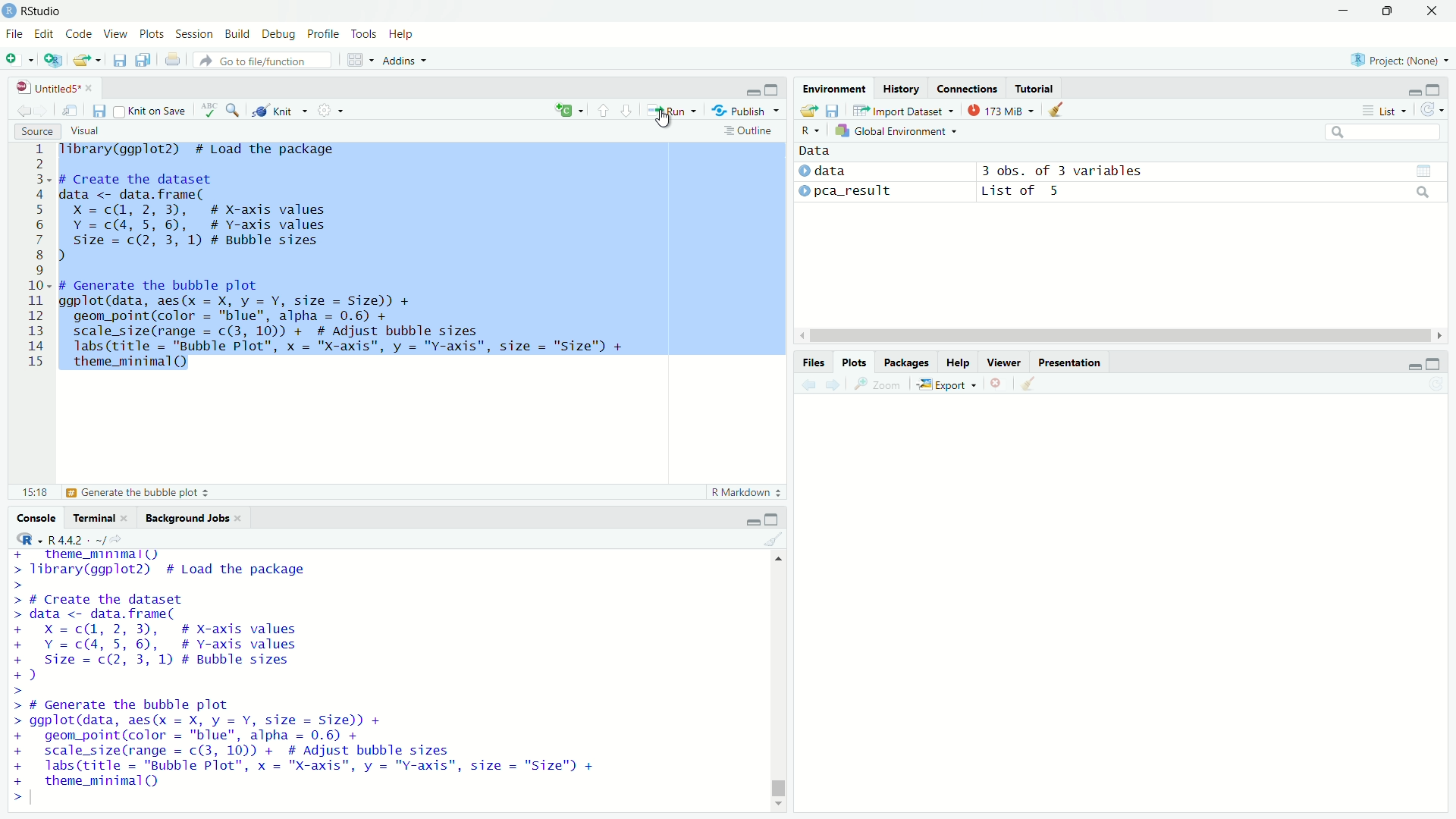 The image size is (1456, 819). Describe the element at coordinates (357, 60) in the screenshot. I see `workspace panes` at that location.